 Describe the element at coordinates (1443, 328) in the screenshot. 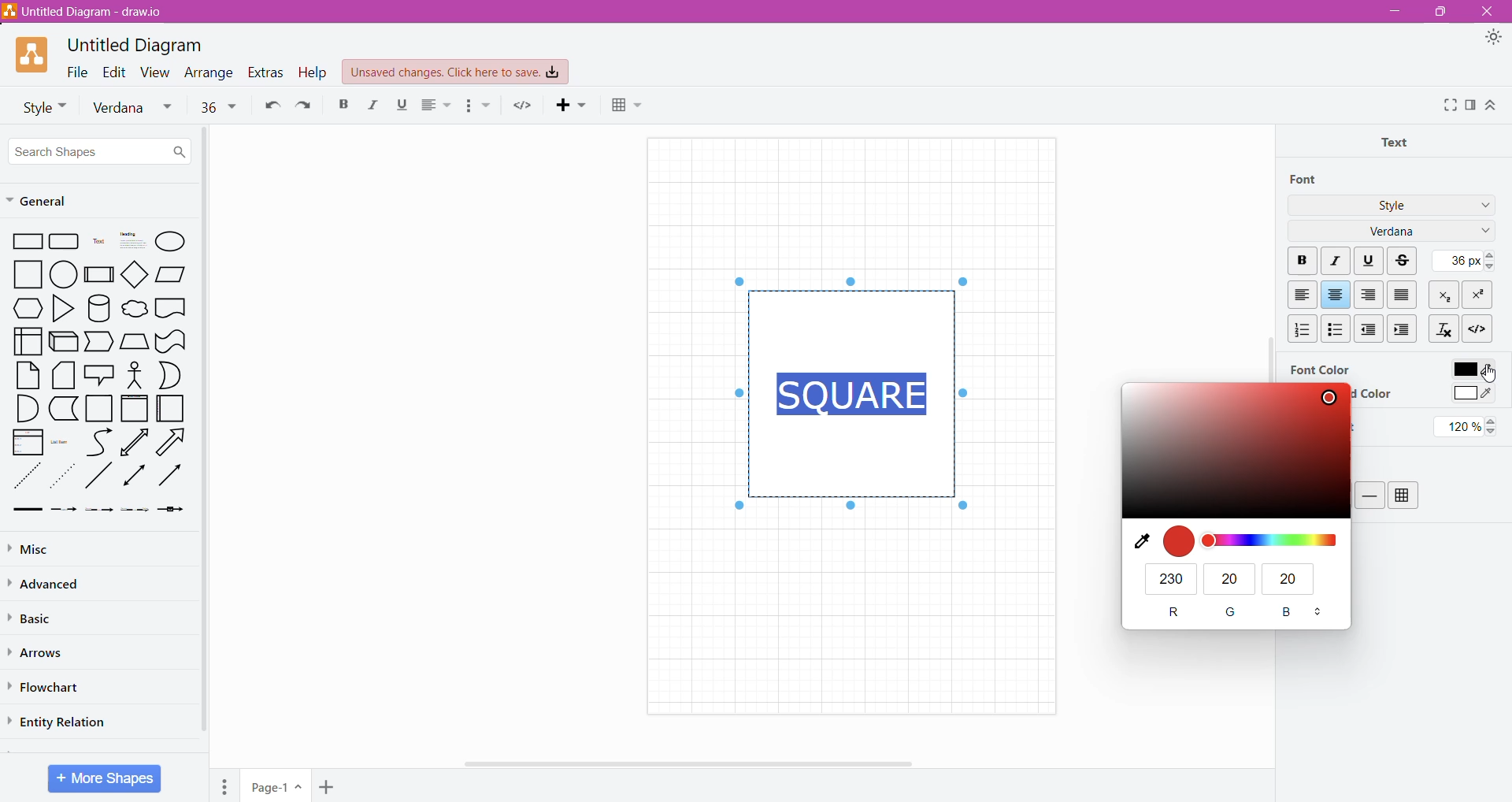

I see `Clear Formatting` at that location.